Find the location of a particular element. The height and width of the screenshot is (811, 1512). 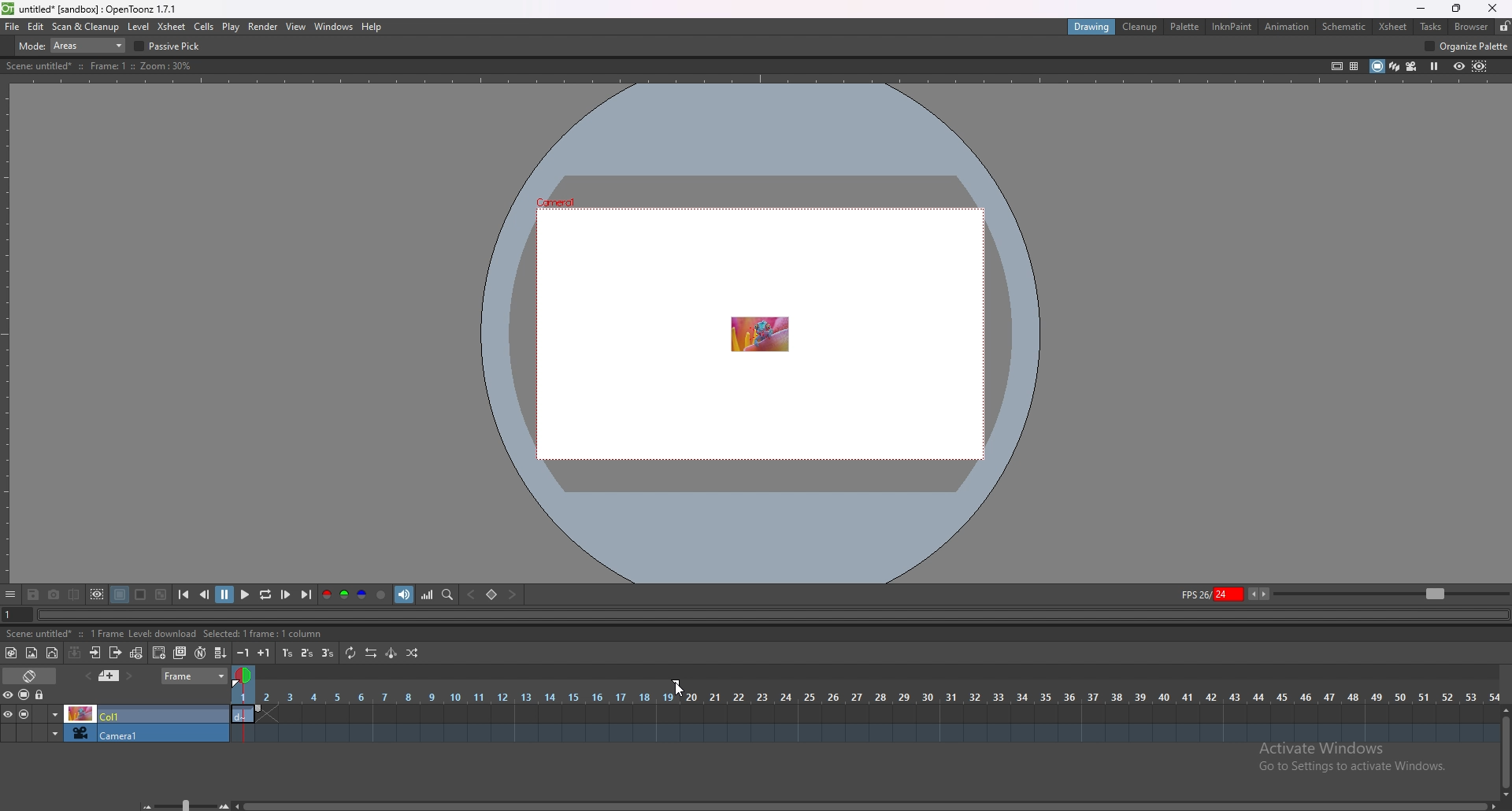

previous is located at coordinates (205, 594).